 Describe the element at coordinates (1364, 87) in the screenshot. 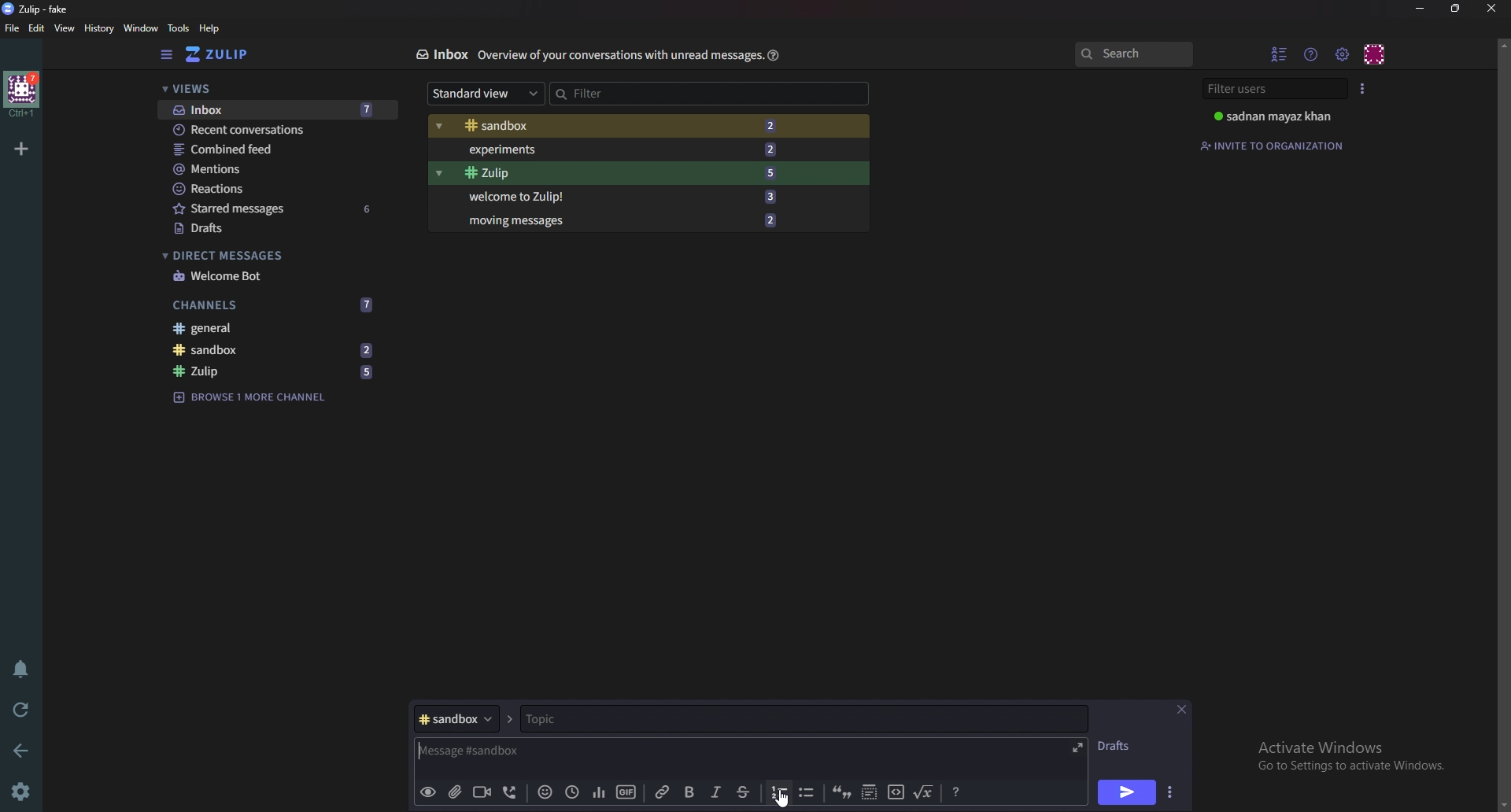

I see `User list style` at that location.